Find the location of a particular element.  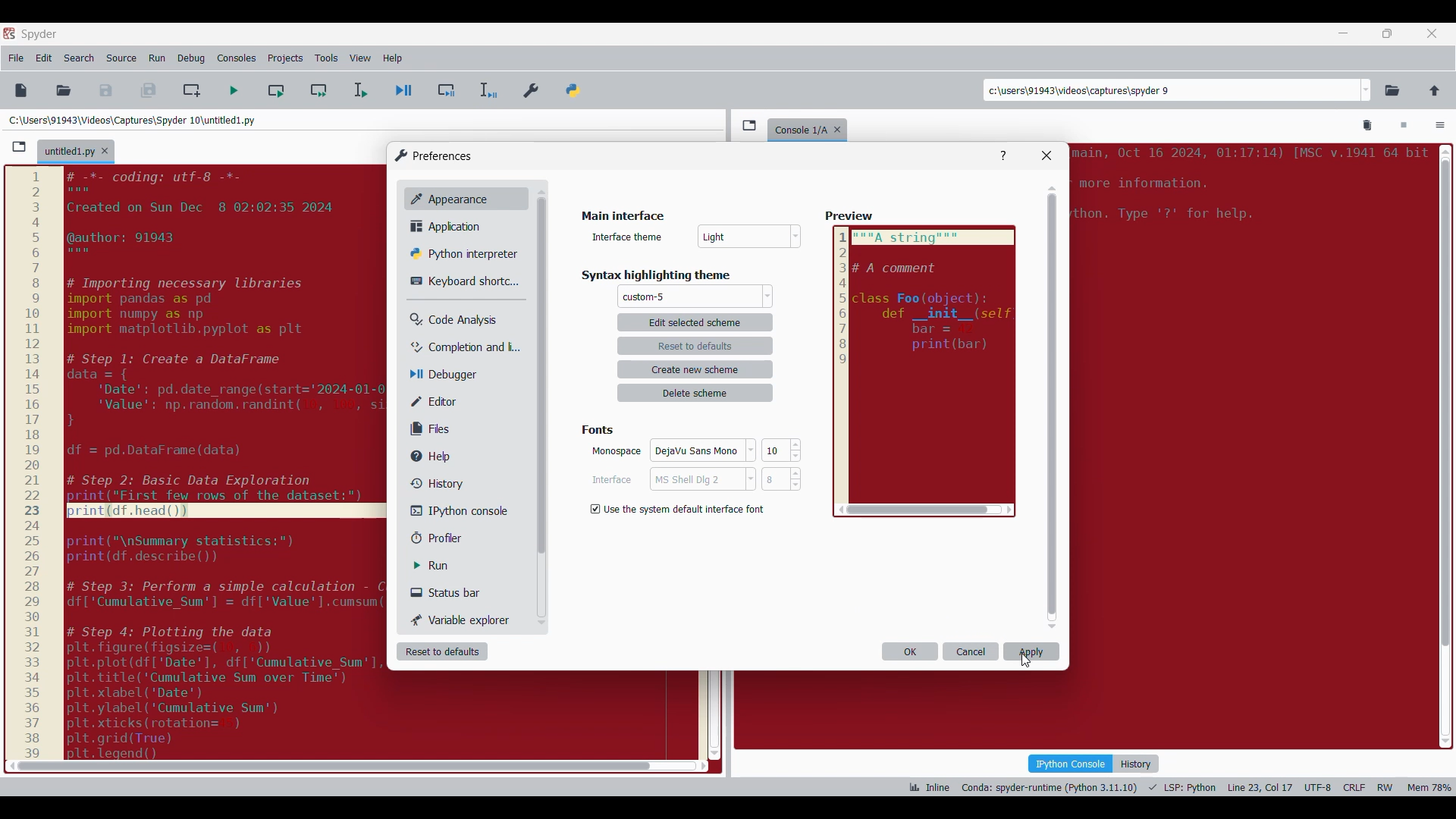

Code details is located at coordinates (1178, 787).